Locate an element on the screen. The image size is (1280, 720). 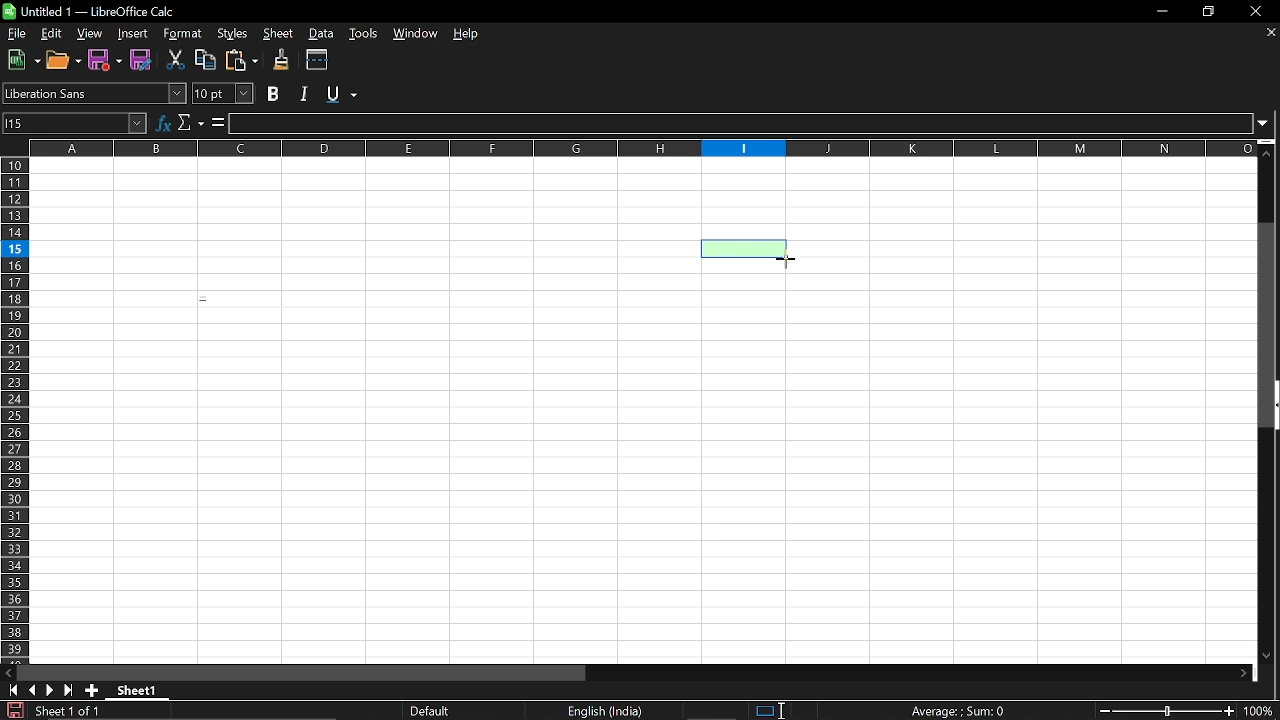
Copy is located at coordinates (206, 61).